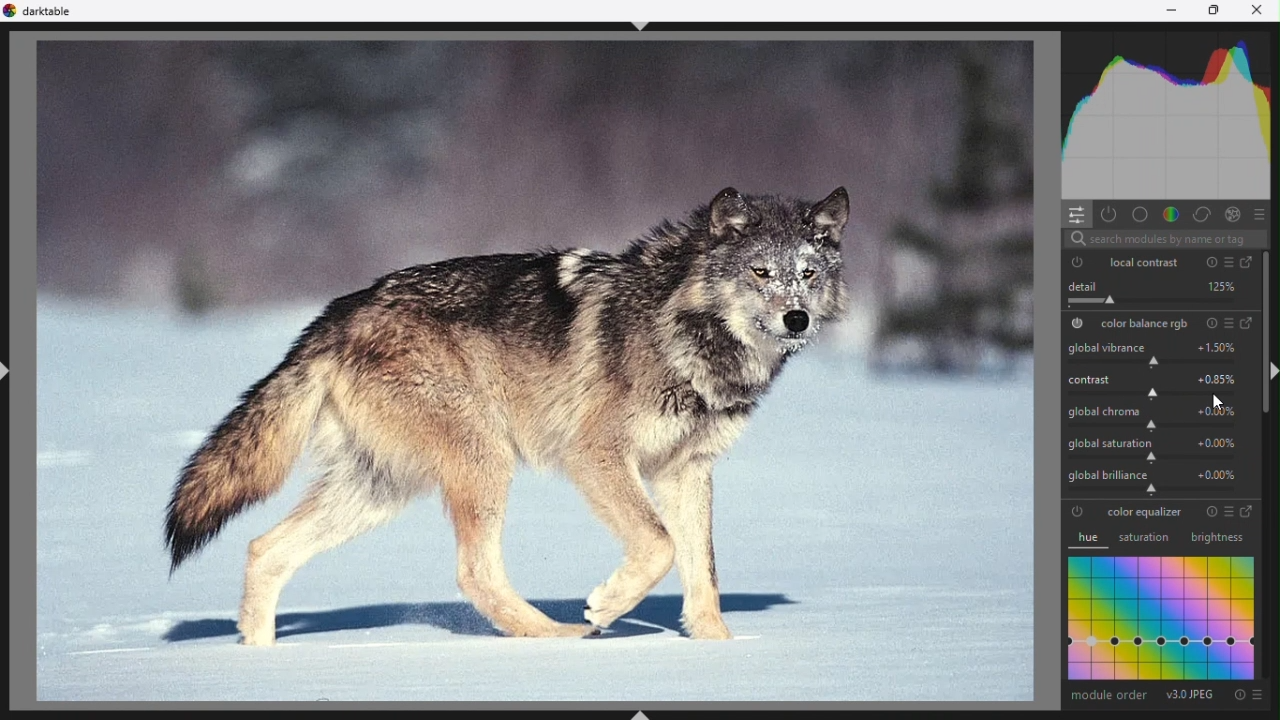 The width and height of the screenshot is (1280, 720). I want to click on reset, so click(1210, 261).